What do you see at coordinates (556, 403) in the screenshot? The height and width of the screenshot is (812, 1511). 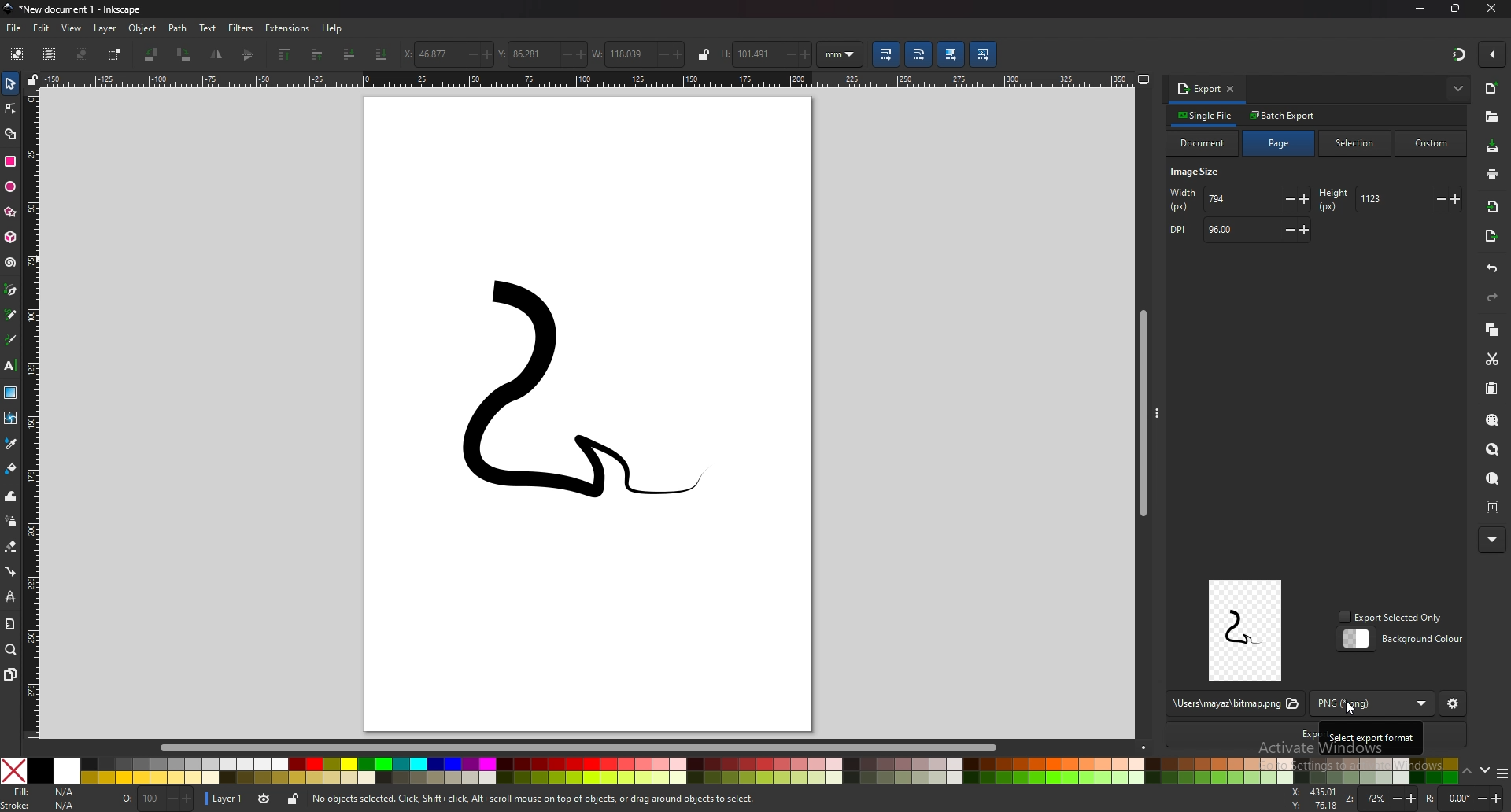 I see `drawing` at bounding box center [556, 403].